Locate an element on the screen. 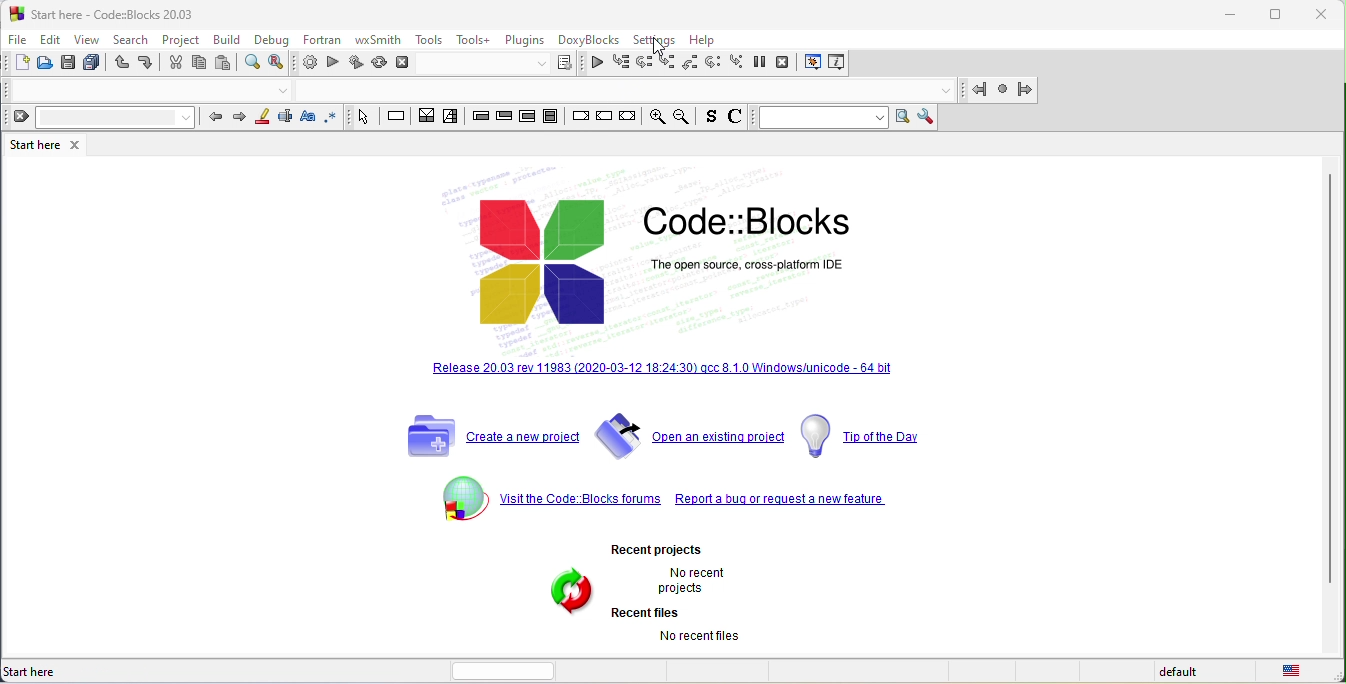 The width and height of the screenshot is (1346, 684). debug is located at coordinates (273, 41).